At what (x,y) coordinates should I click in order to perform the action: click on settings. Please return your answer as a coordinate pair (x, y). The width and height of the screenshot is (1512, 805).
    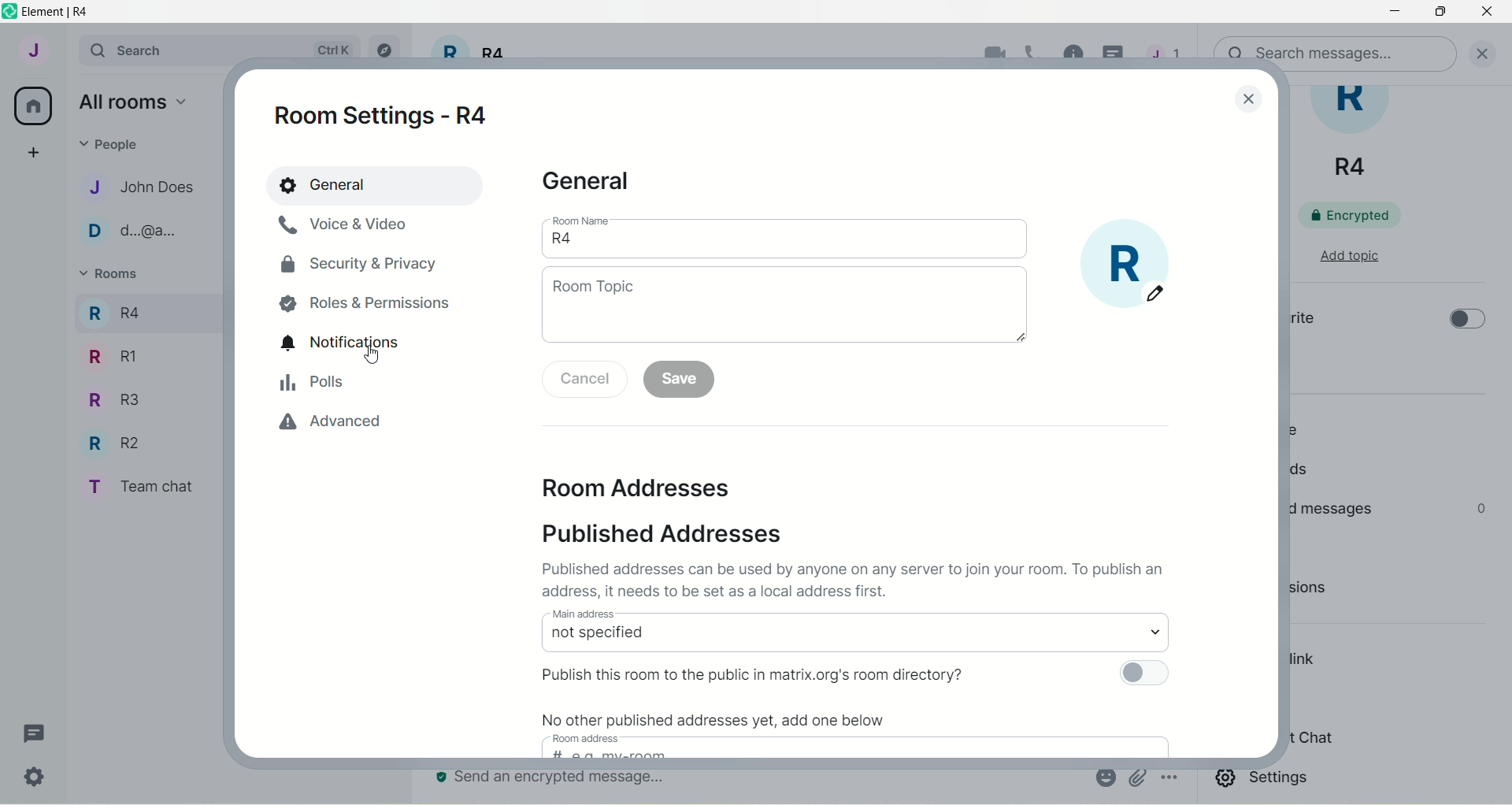
    Looking at the image, I should click on (37, 780).